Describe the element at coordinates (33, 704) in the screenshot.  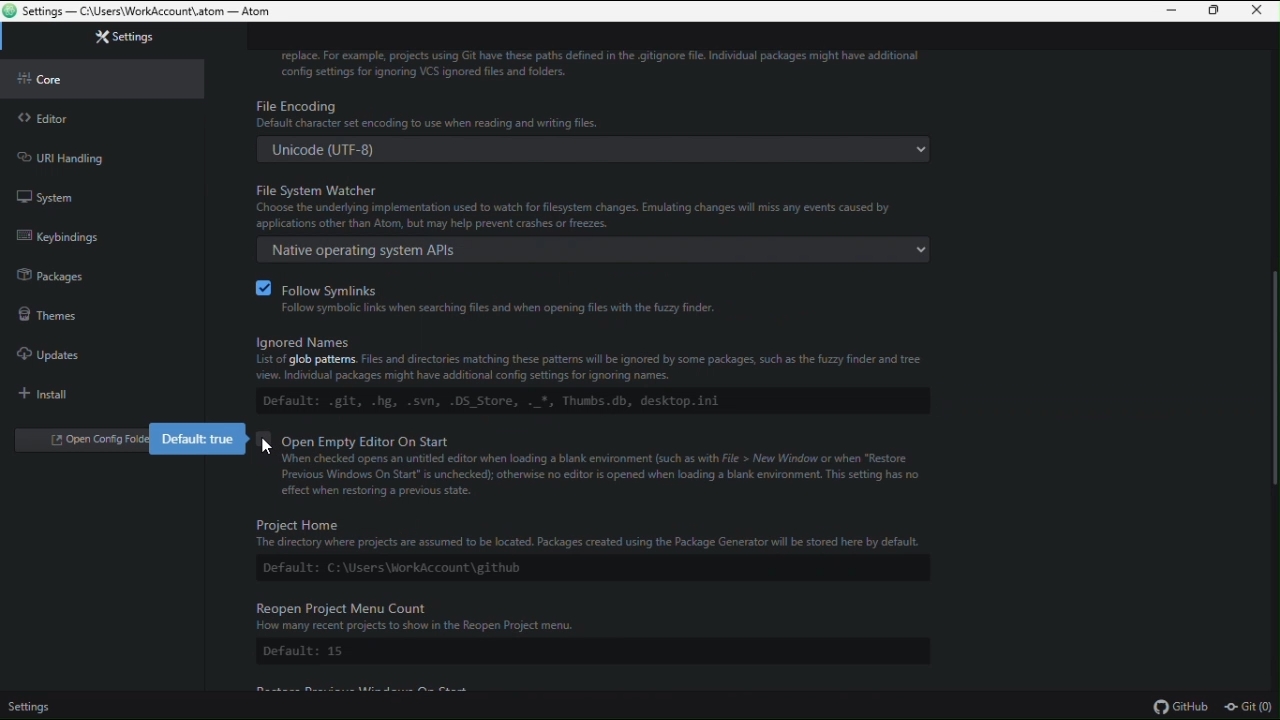
I see `Settings` at that location.